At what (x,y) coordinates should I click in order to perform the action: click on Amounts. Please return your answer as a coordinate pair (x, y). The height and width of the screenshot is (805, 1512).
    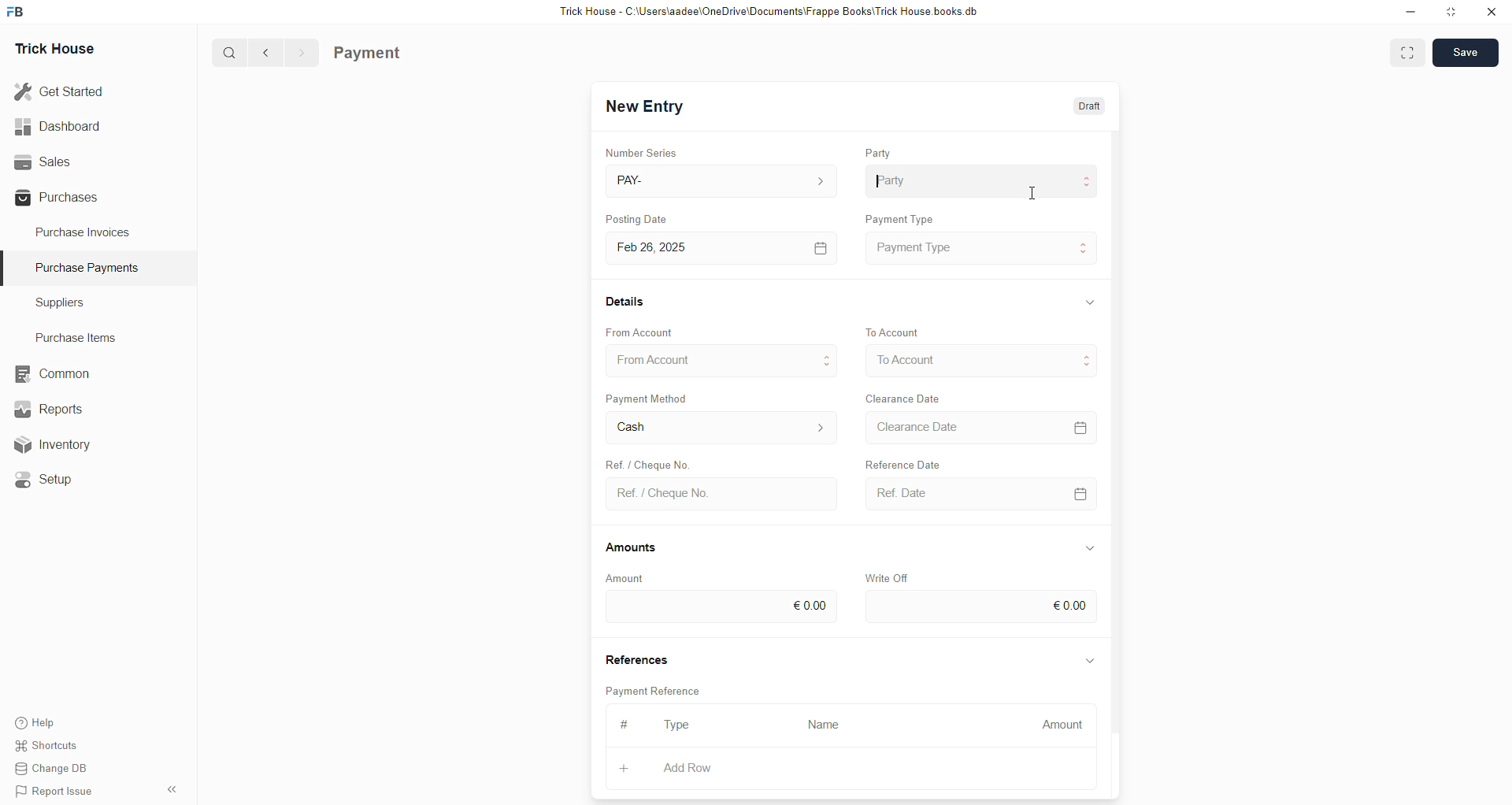
    Looking at the image, I should click on (637, 547).